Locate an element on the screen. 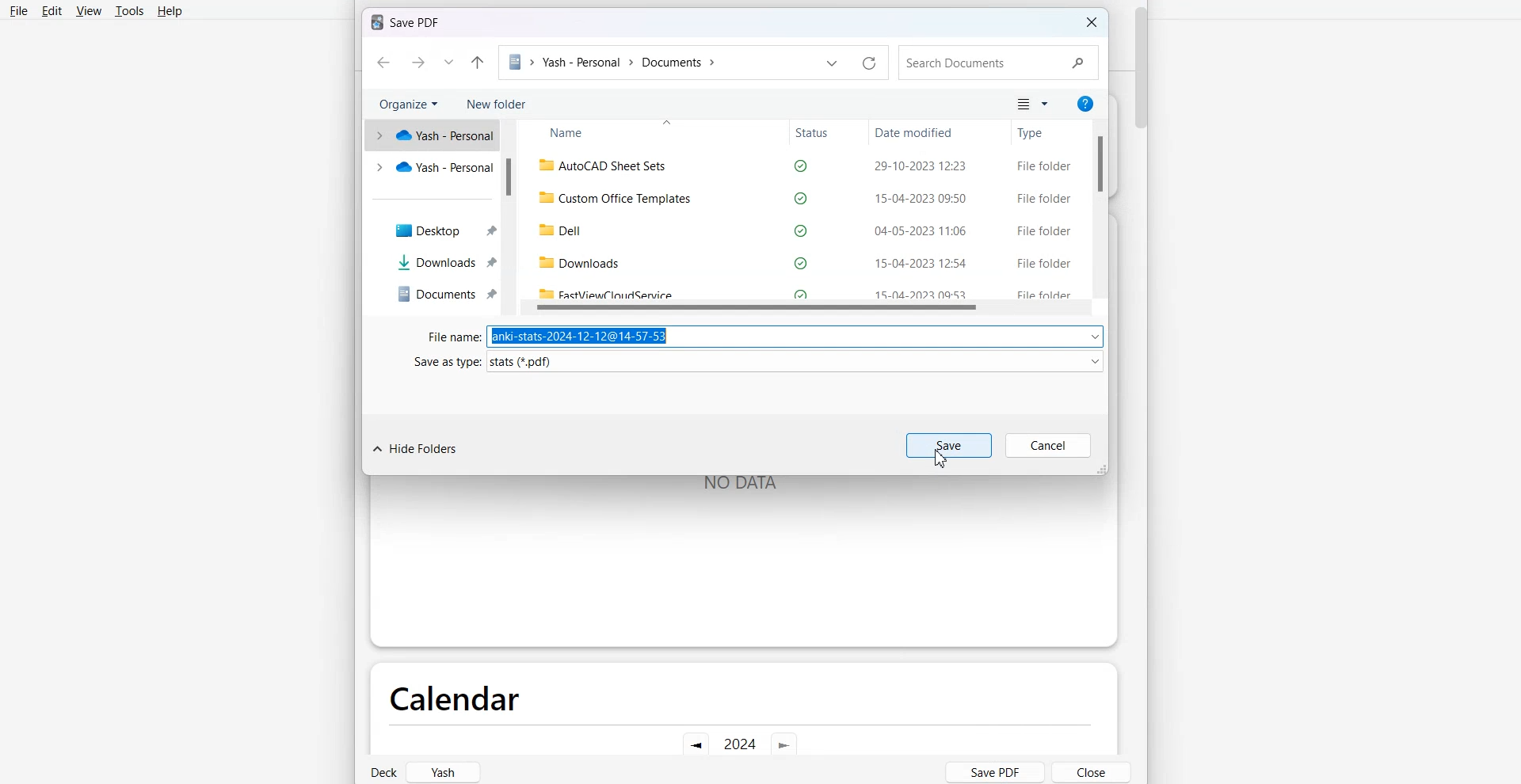 The width and height of the screenshot is (1521, 784). Desktop is located at coordinates (429, 230).